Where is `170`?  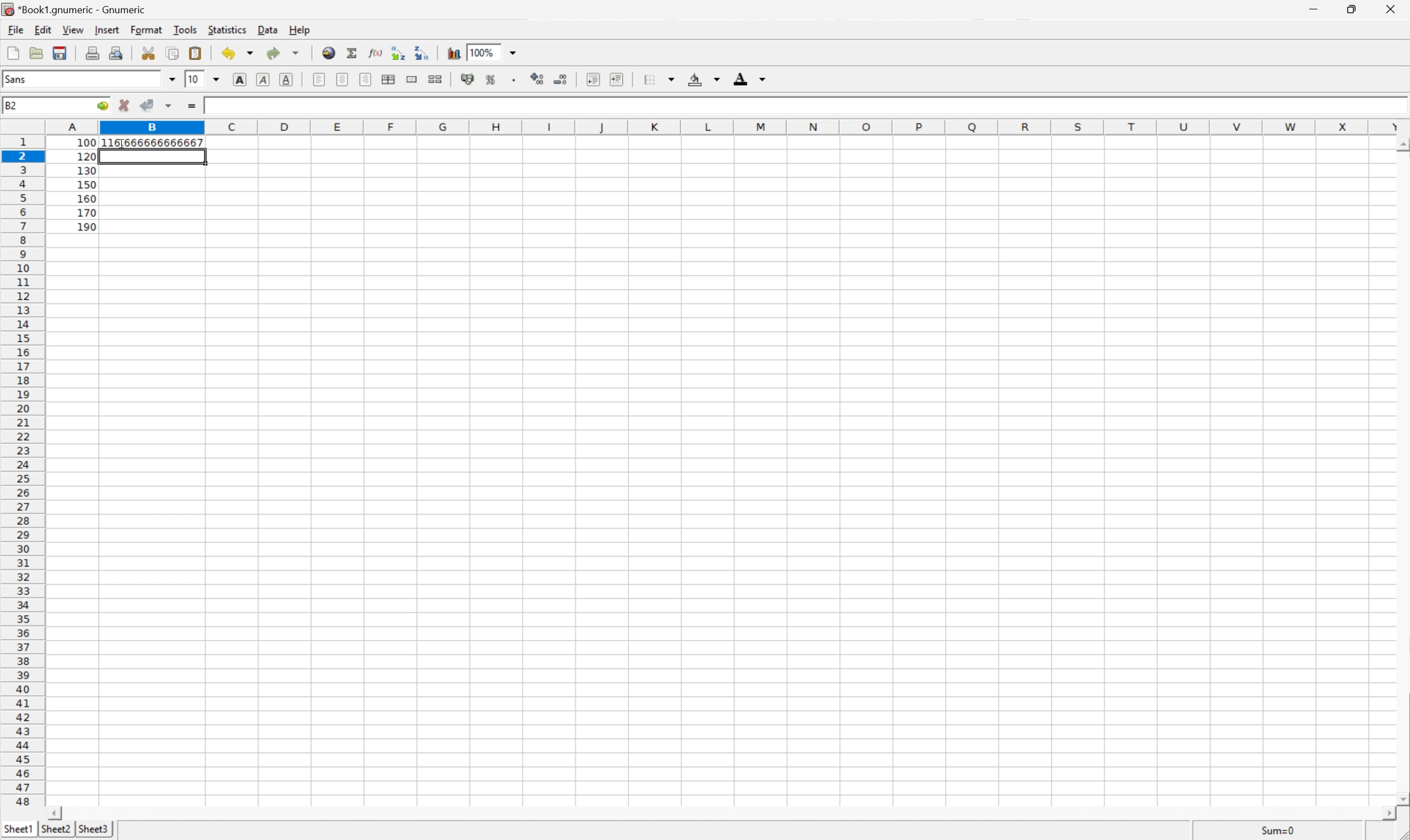
170 is located at coordinates (87, 212).